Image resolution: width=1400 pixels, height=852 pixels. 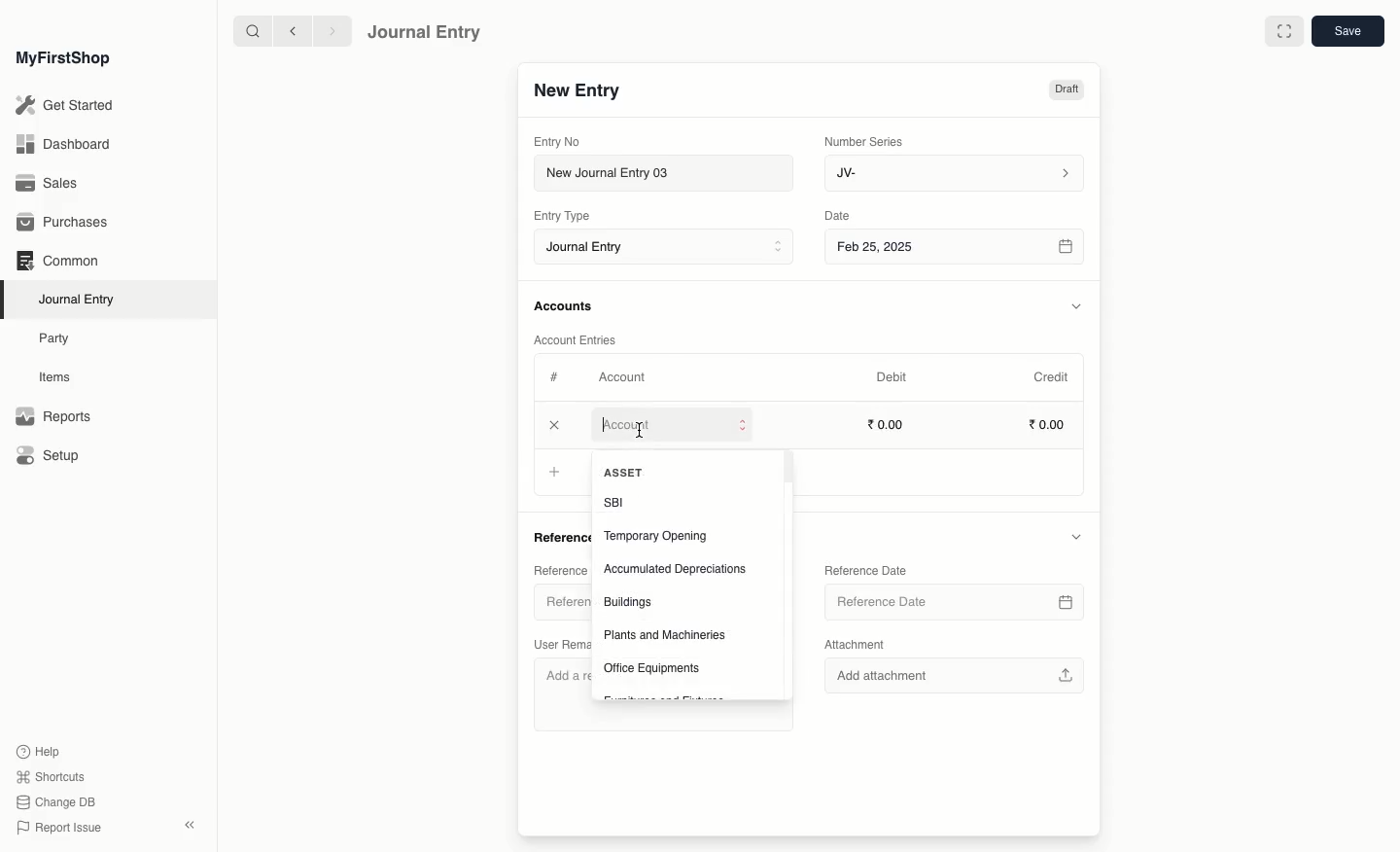 I want to click on Hashtag, so click(x=558, y=378).